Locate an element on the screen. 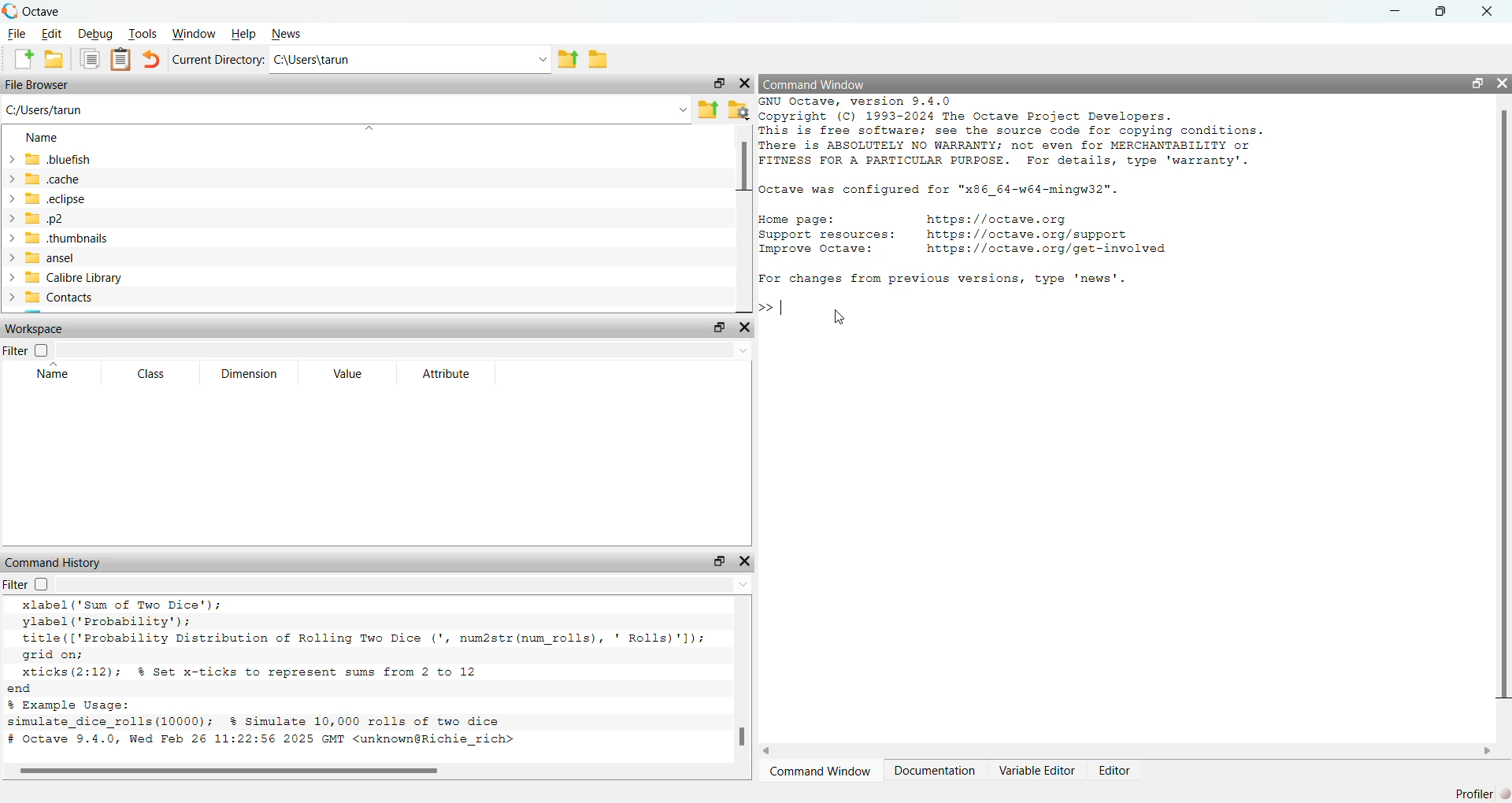 The image size is (1512, 803). Folder upload is located at coordinates (708, 110).